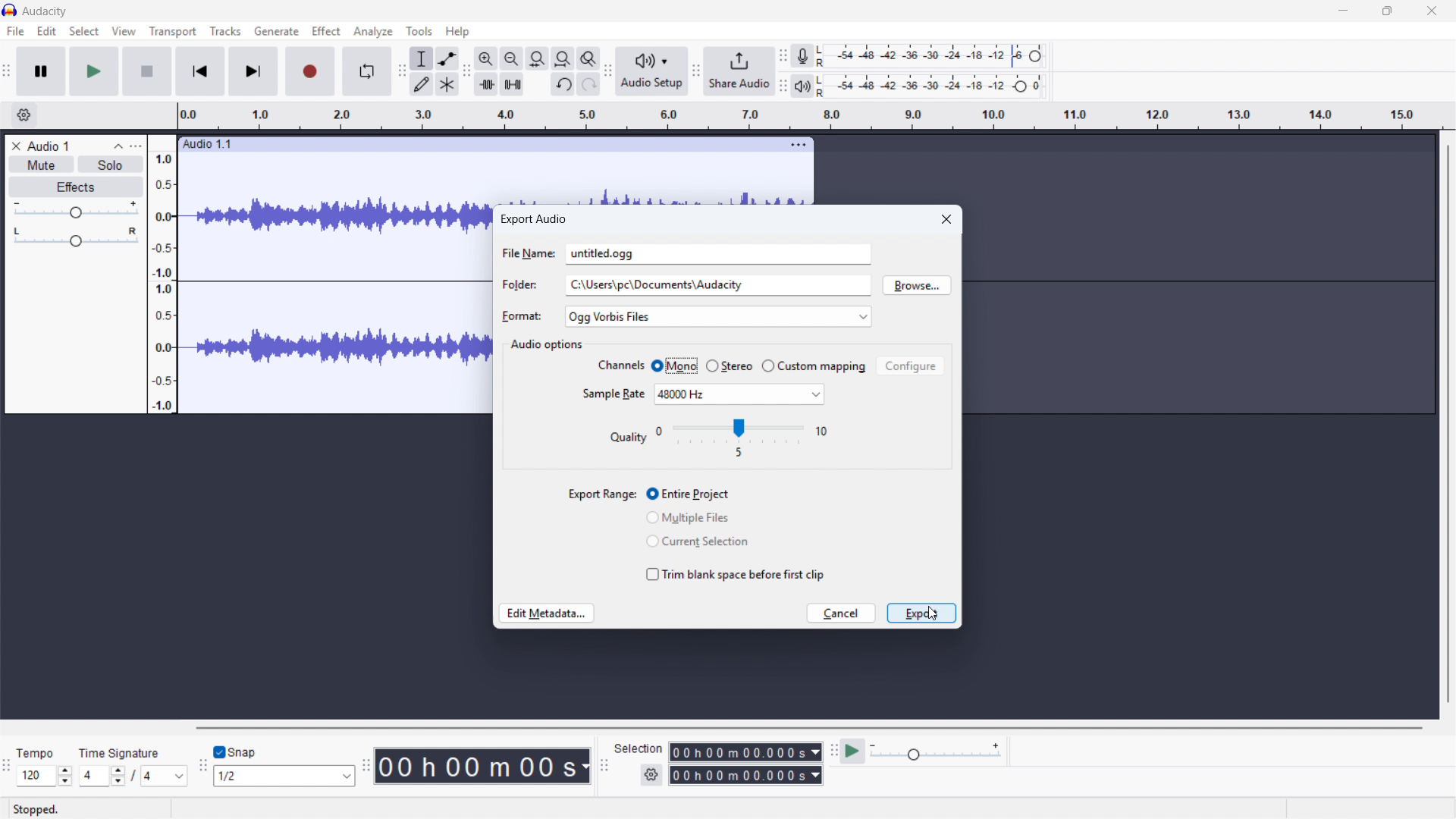  Describe the element at coordinates (118, 146) in the screenshot. I see `Collapse ` at that location.